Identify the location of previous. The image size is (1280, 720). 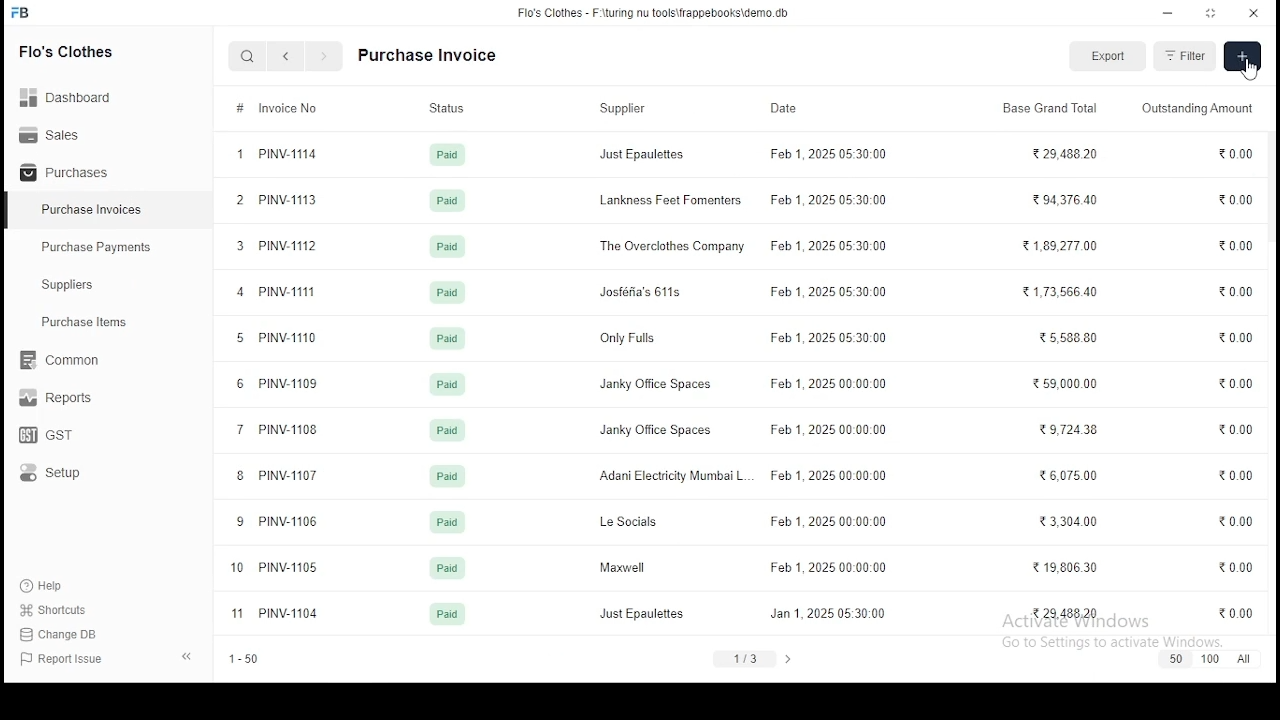
(287, 57).